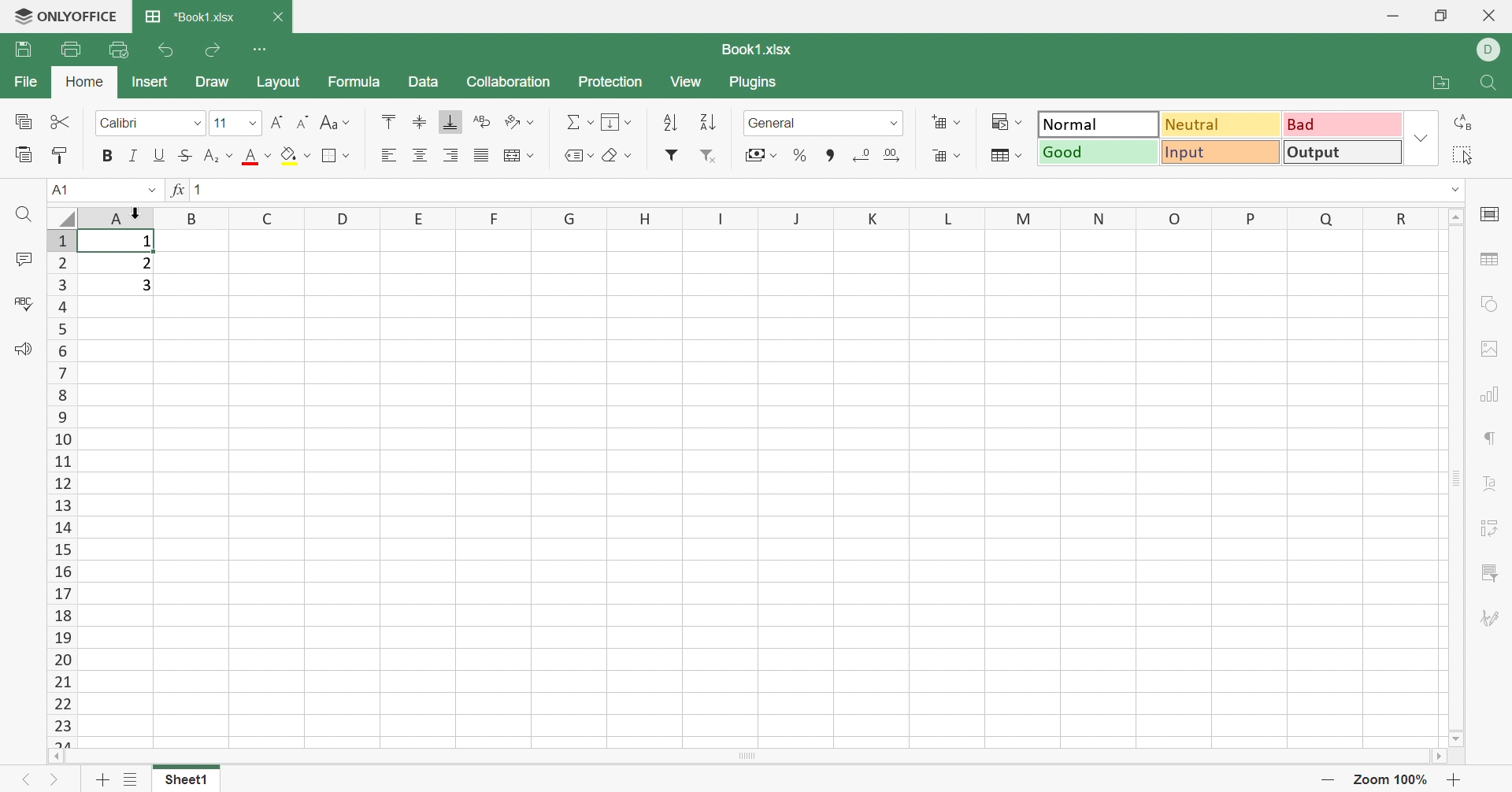 The width and height of the screenshot is (1512, 792). What do you see at coordinates (279, 83) in the screenshot?
I see `Layout` at bounding box center [279, 83].